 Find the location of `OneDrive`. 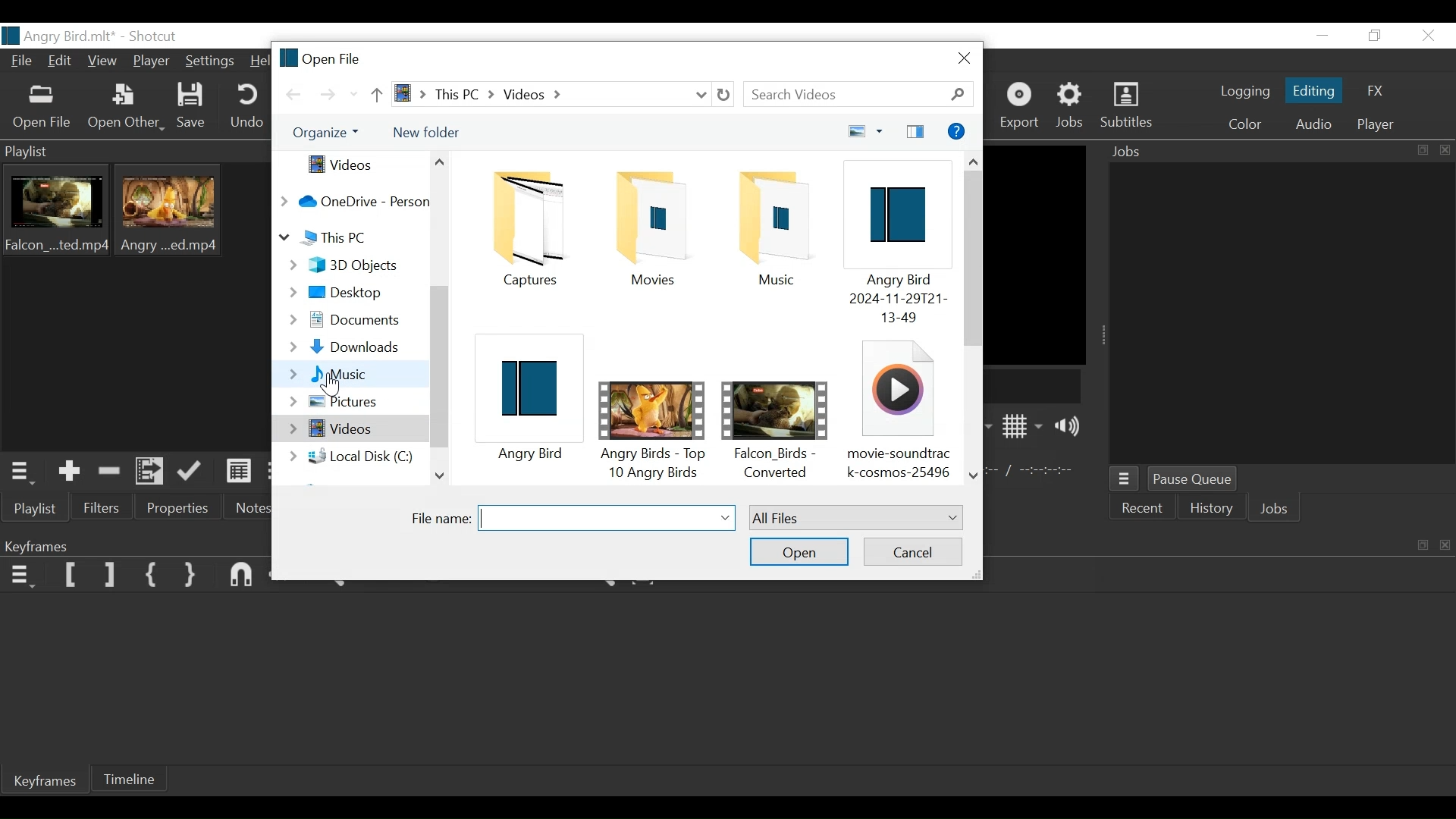

OneDrive is located at coordinates (353, 201).